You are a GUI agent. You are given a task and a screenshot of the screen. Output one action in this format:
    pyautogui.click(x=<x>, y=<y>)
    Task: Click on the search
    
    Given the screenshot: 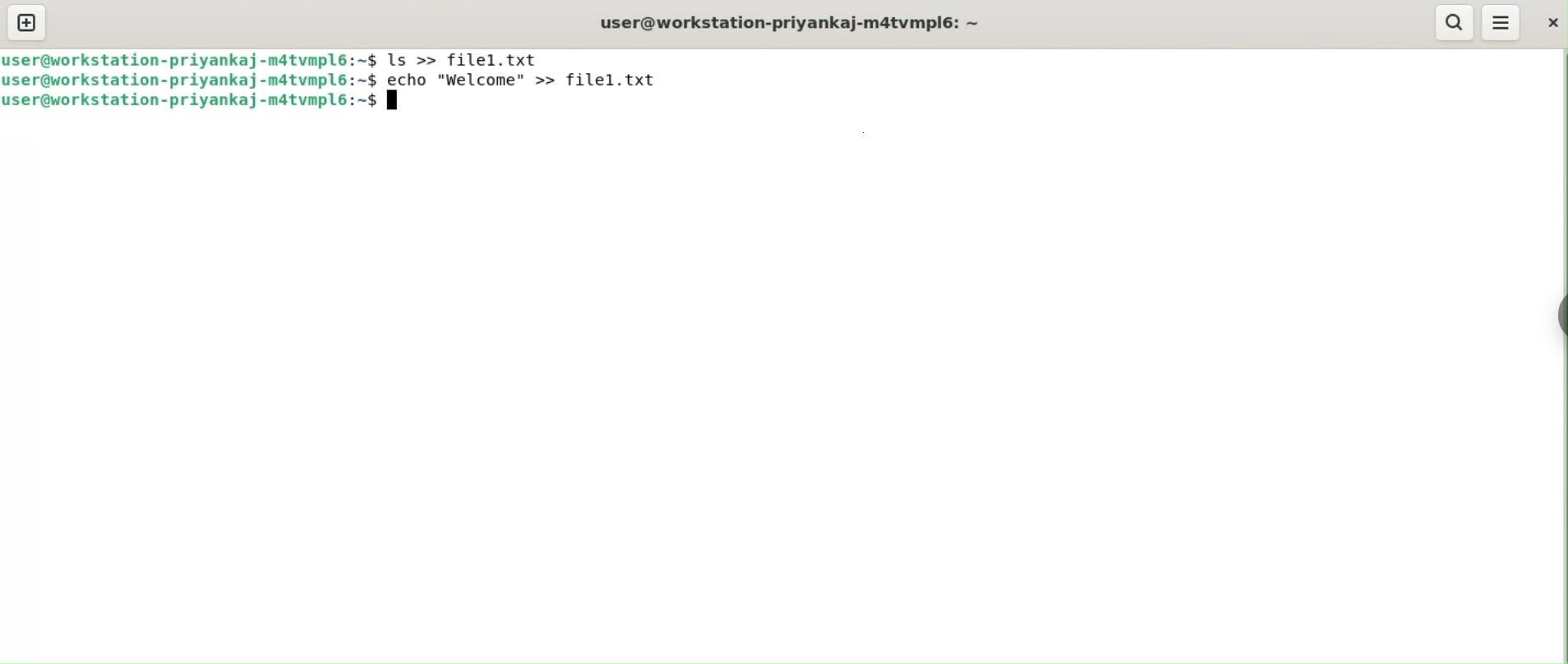 What is the action you would take?
    pyautogui.click(x=1453, y=22)
    